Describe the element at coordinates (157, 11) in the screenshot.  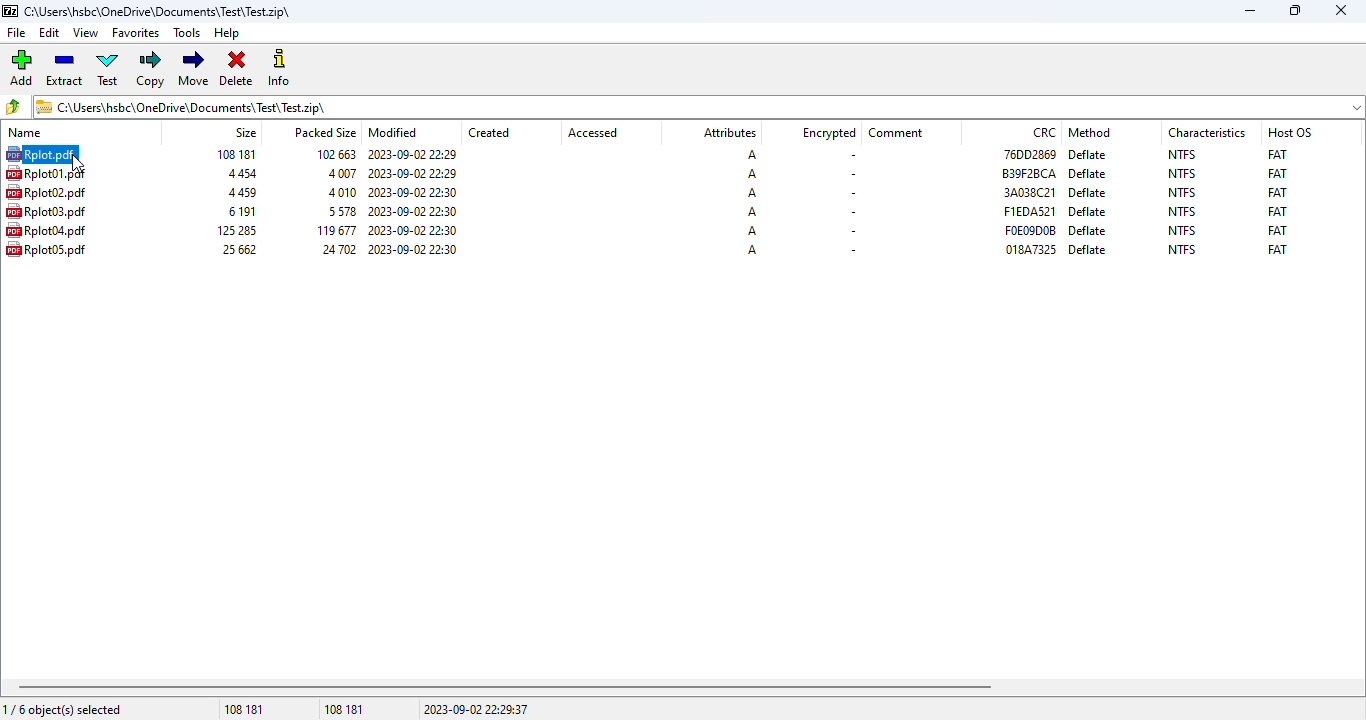
I see `.zip archive` at that location.